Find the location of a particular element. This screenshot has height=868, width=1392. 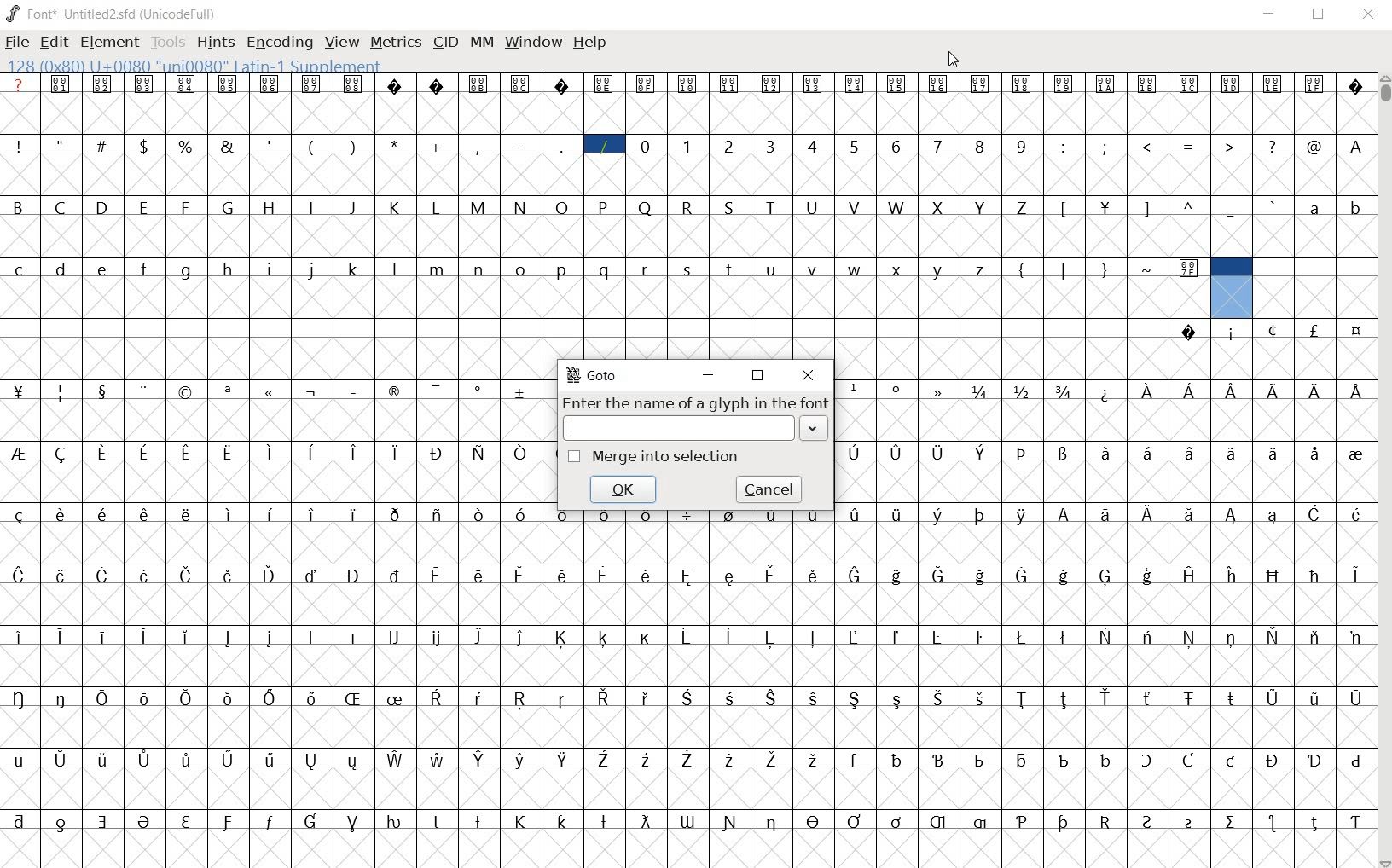

| is located at coordinates (1066, 269).